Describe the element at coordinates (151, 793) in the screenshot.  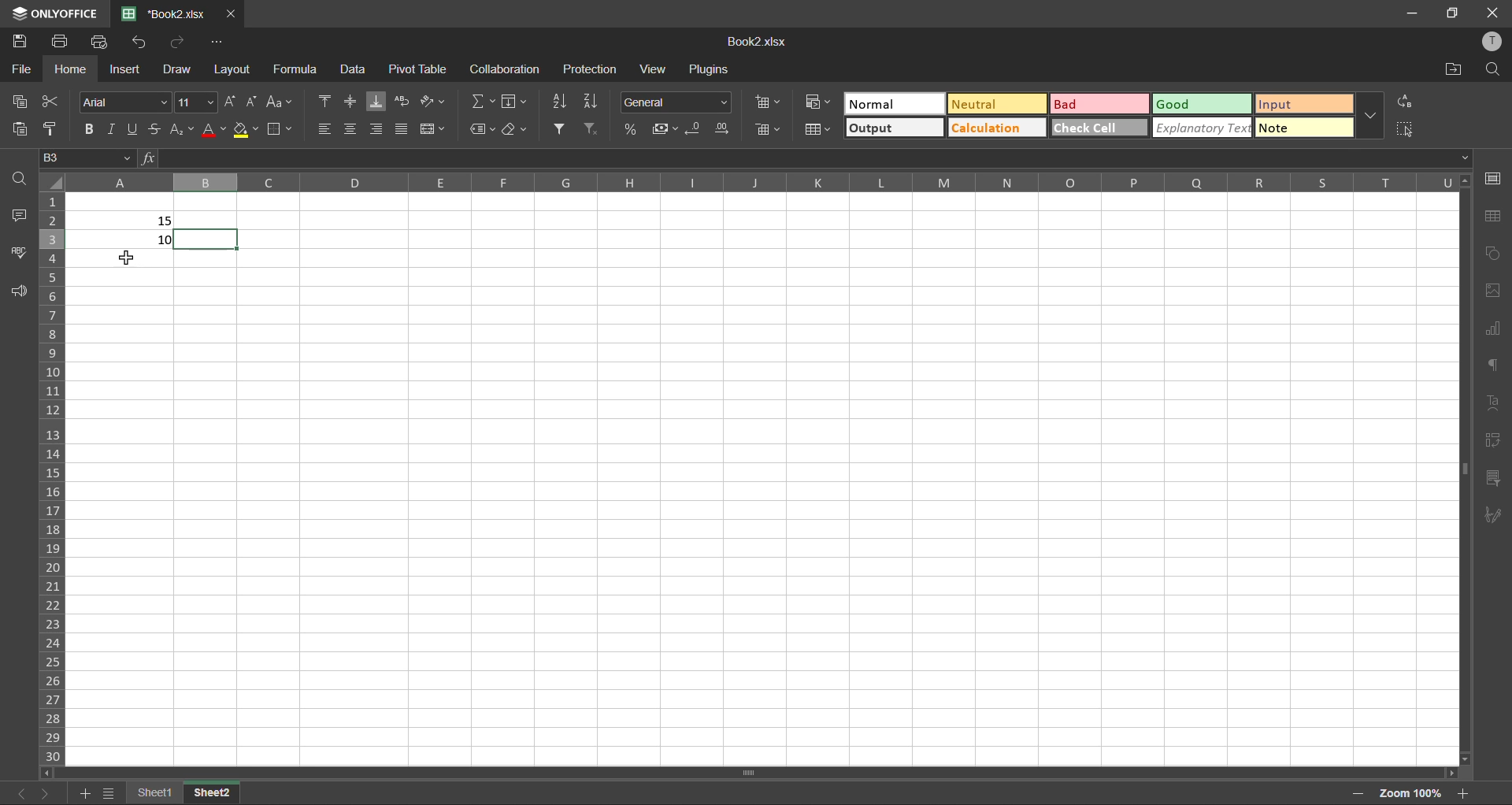
I see `sheet 1` at that location.